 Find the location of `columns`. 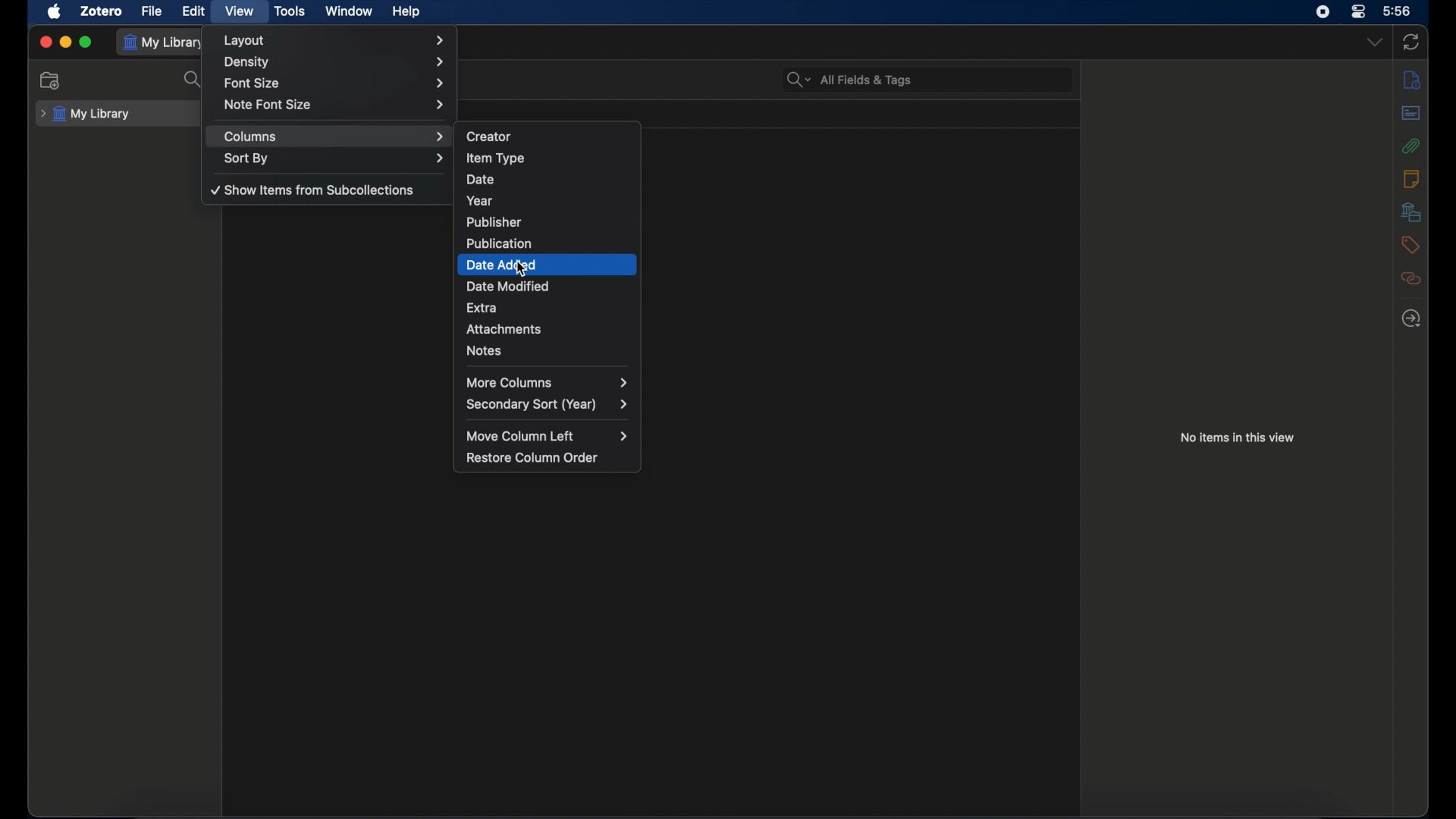

columns is located at coordinates (334, 136).